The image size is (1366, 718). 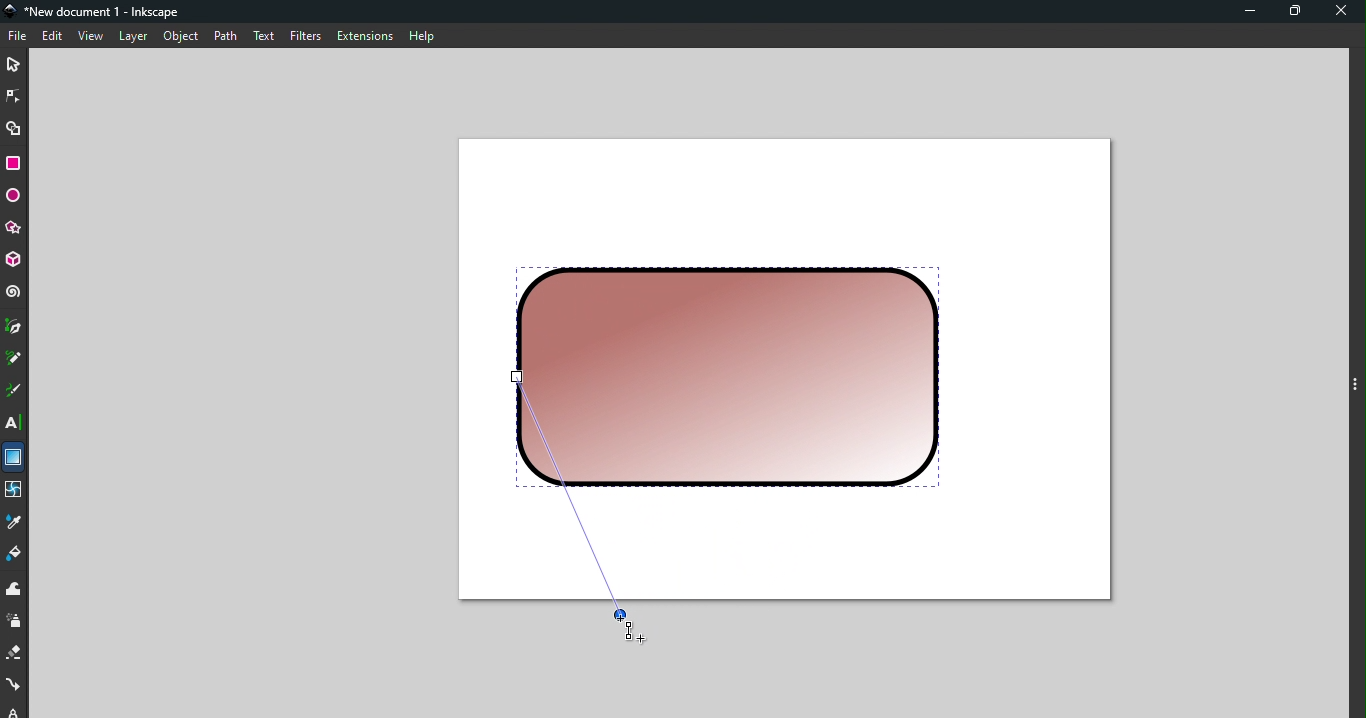 I want to click on Selector tool, so click(x=14, y=62).